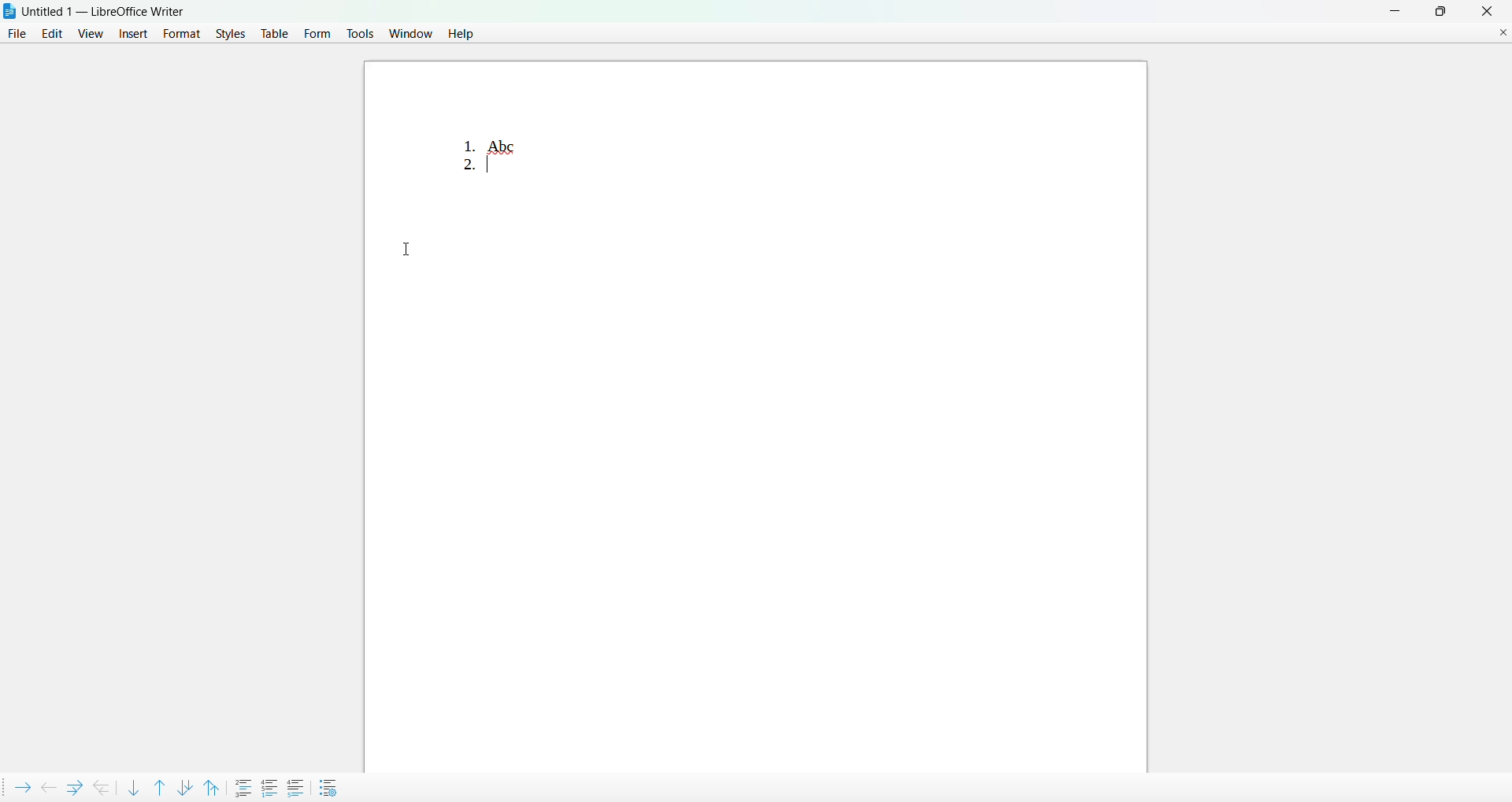  Describe the element at coordinates (46, 785) in the screenshot. I see `promote outline level` at that location.